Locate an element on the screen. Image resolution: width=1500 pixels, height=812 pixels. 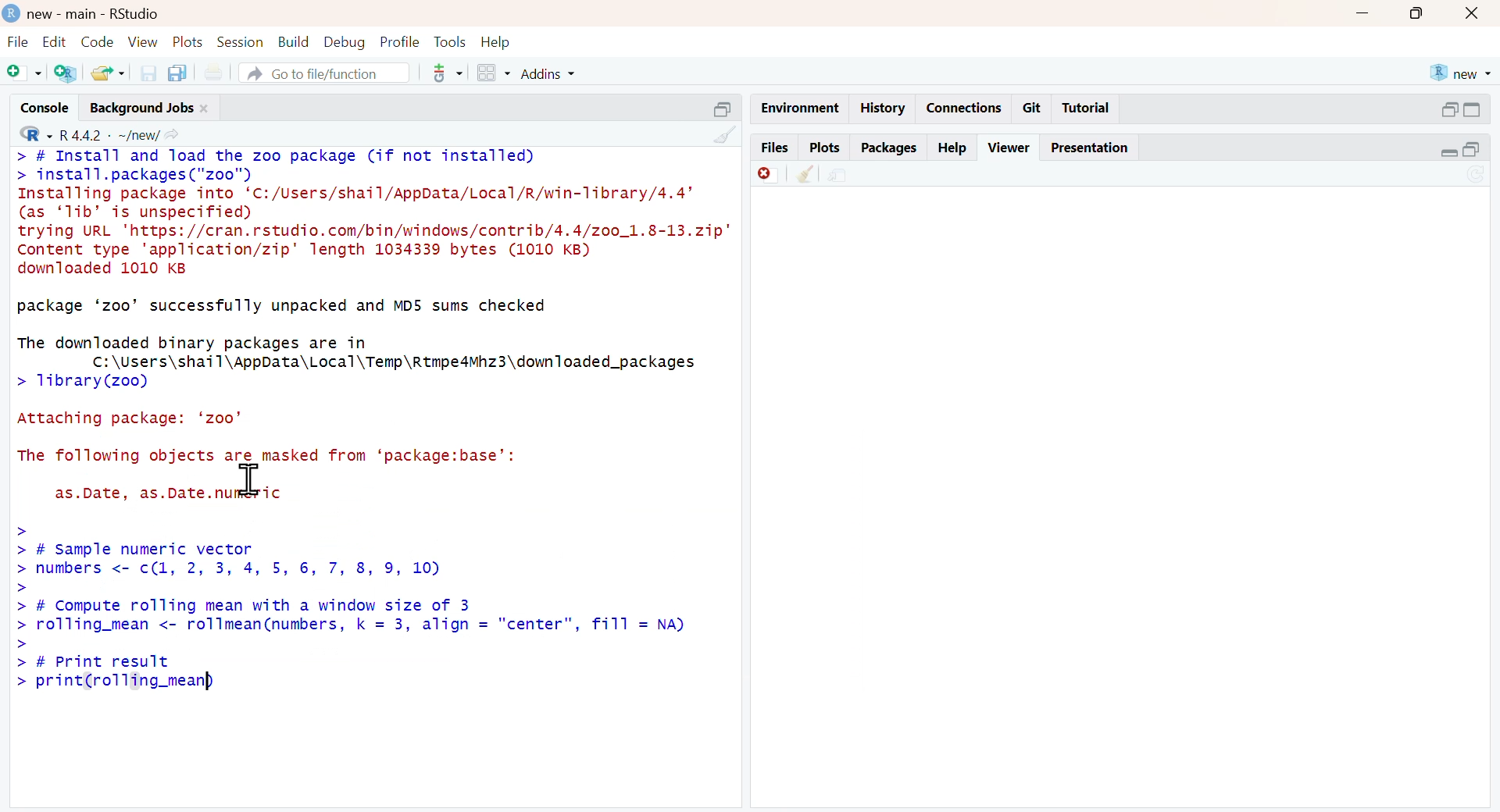
git is located at coordinates (1033, 108).